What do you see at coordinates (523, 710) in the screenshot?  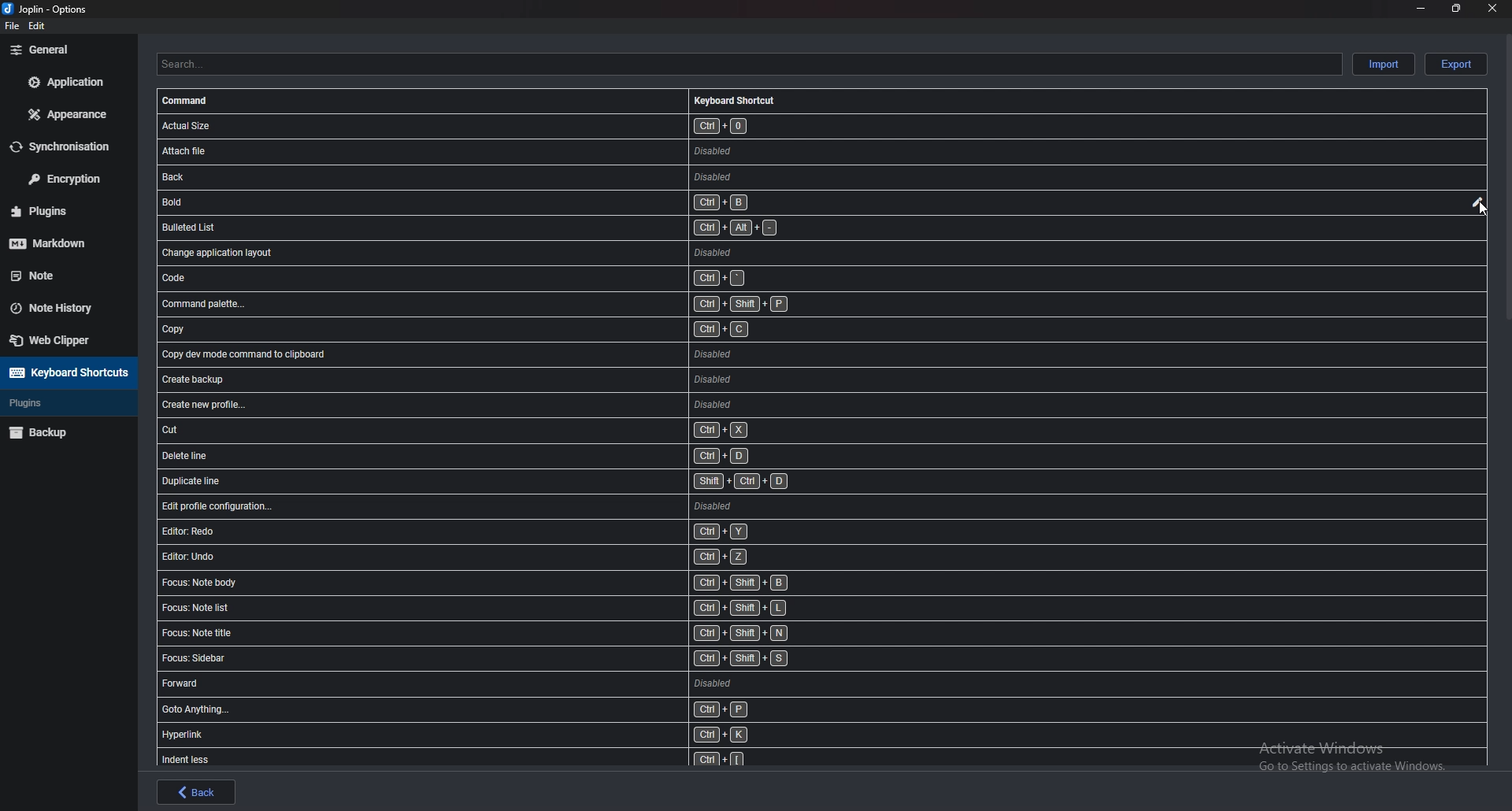 I see `shortcut` at bounding box center [523, 710].